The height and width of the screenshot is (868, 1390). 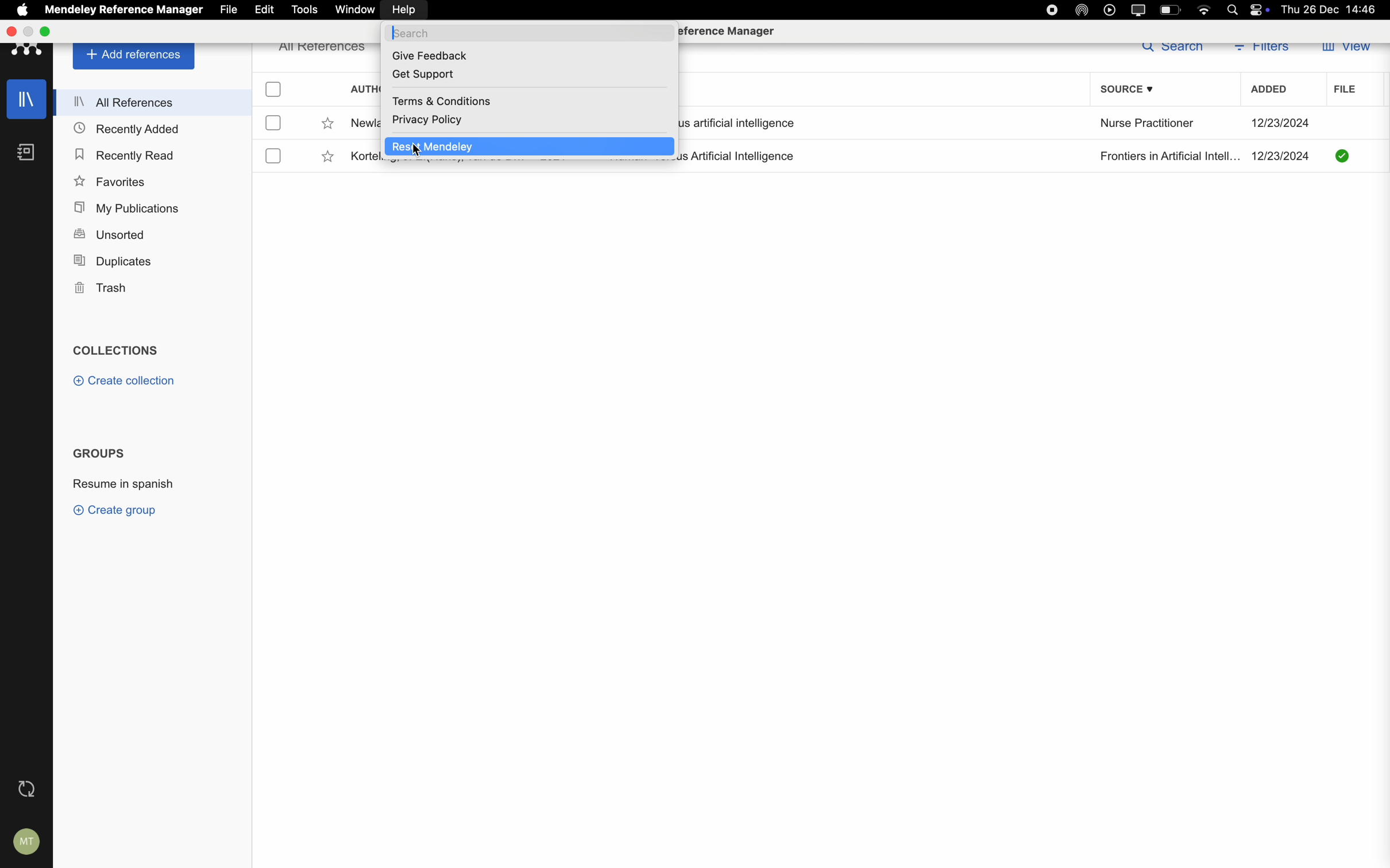 What do you see at coordinates (327, 155) in the screenshot?
I see `favorite` at bounding box center [327, 155].